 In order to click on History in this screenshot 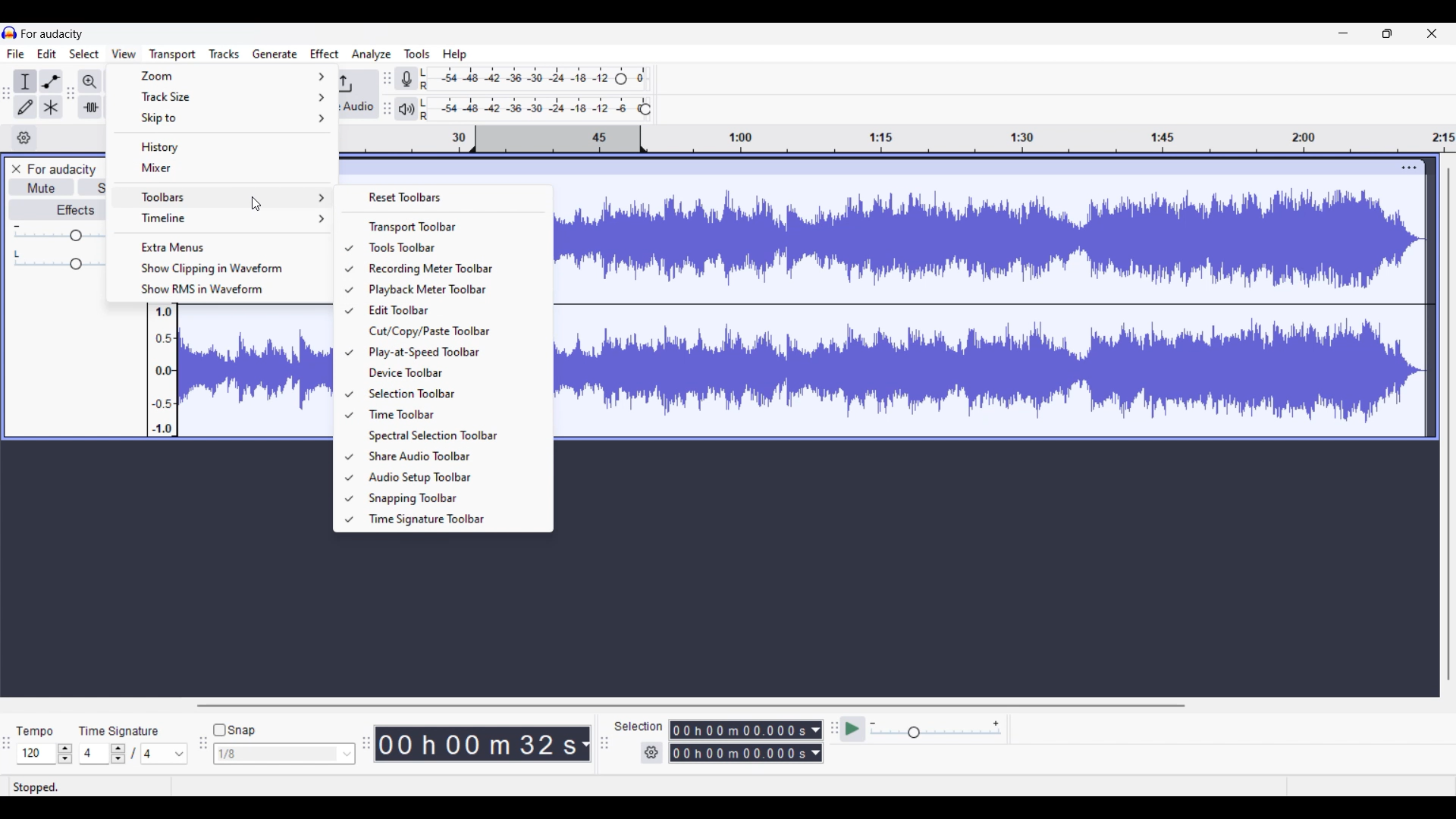, I will do `click(223, 147)`.